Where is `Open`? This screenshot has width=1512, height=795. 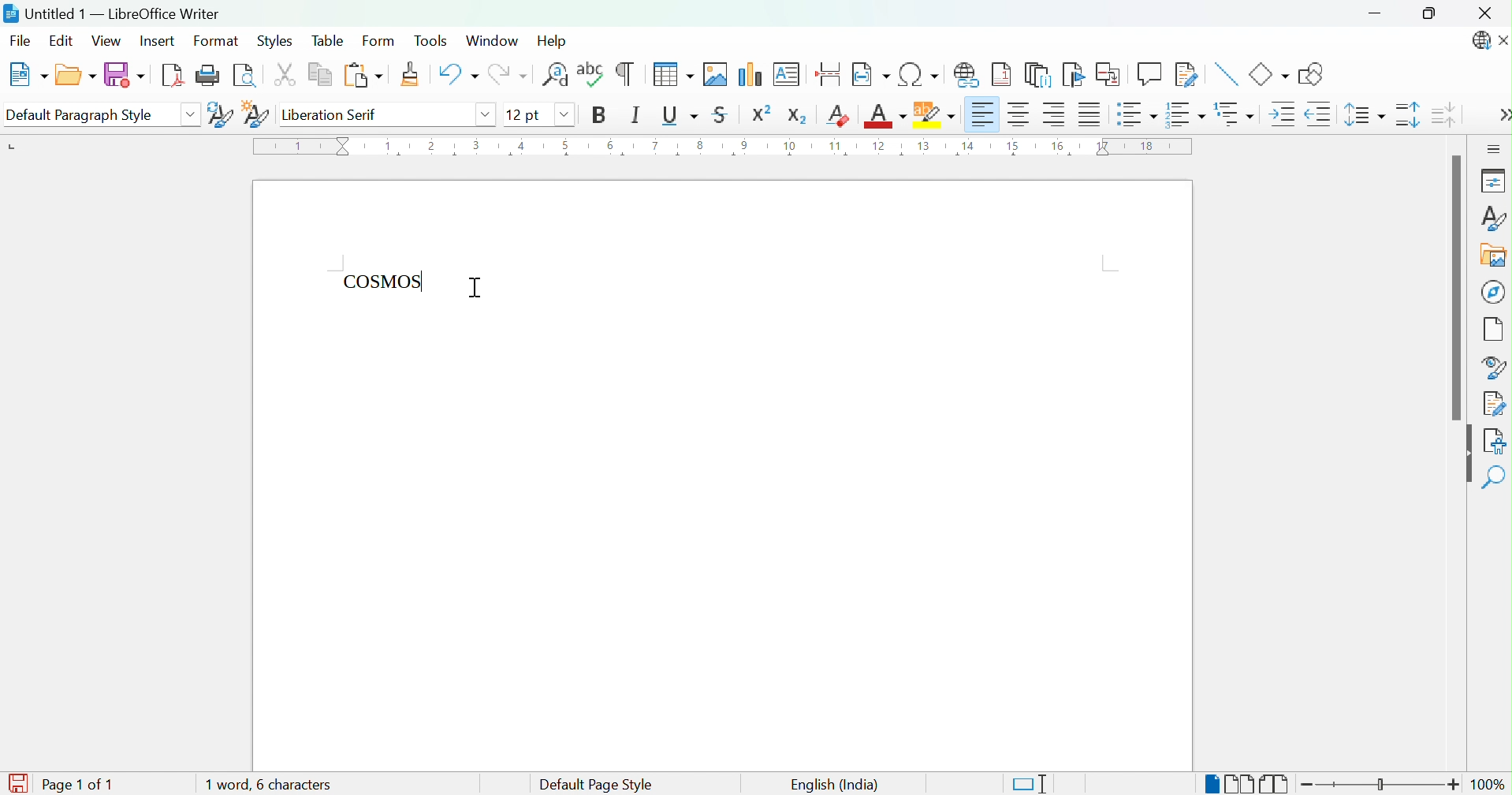 Open is located at coordinates (75, 76).